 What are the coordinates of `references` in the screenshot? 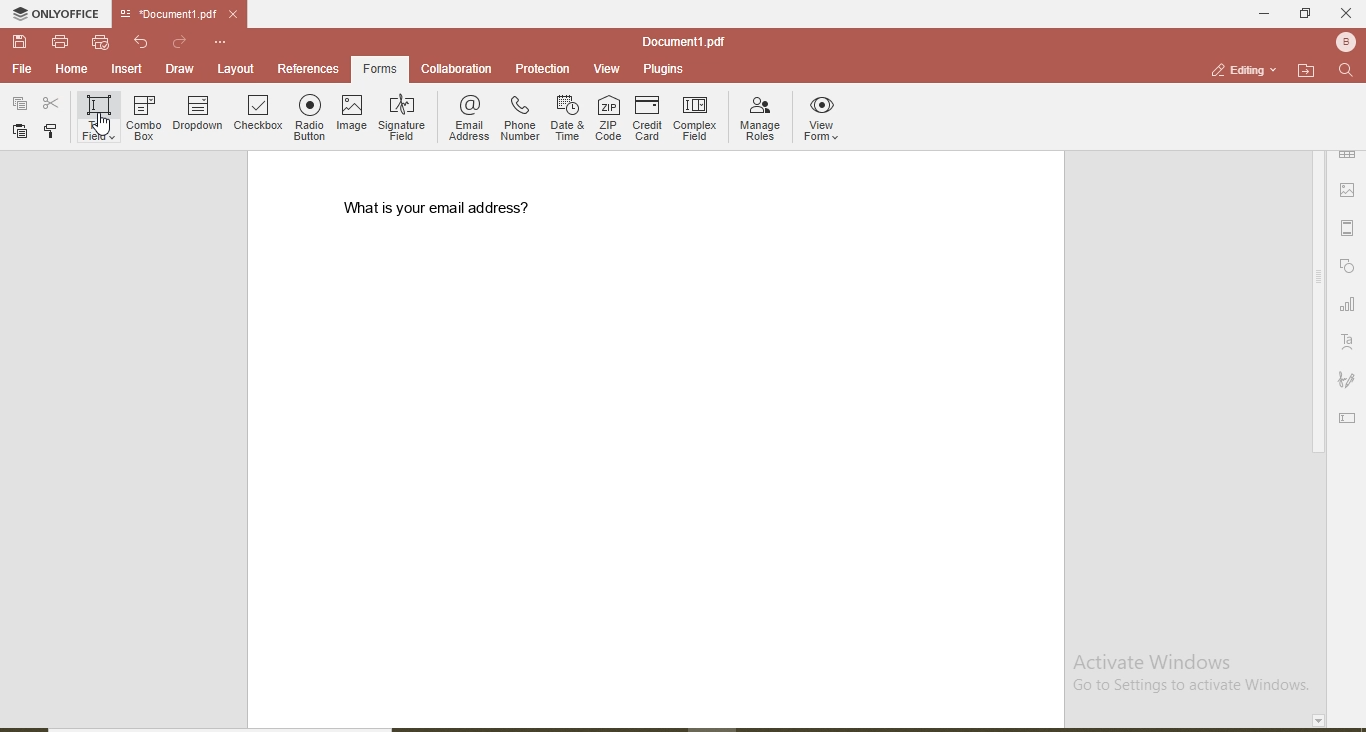 It's located at (308, 68).